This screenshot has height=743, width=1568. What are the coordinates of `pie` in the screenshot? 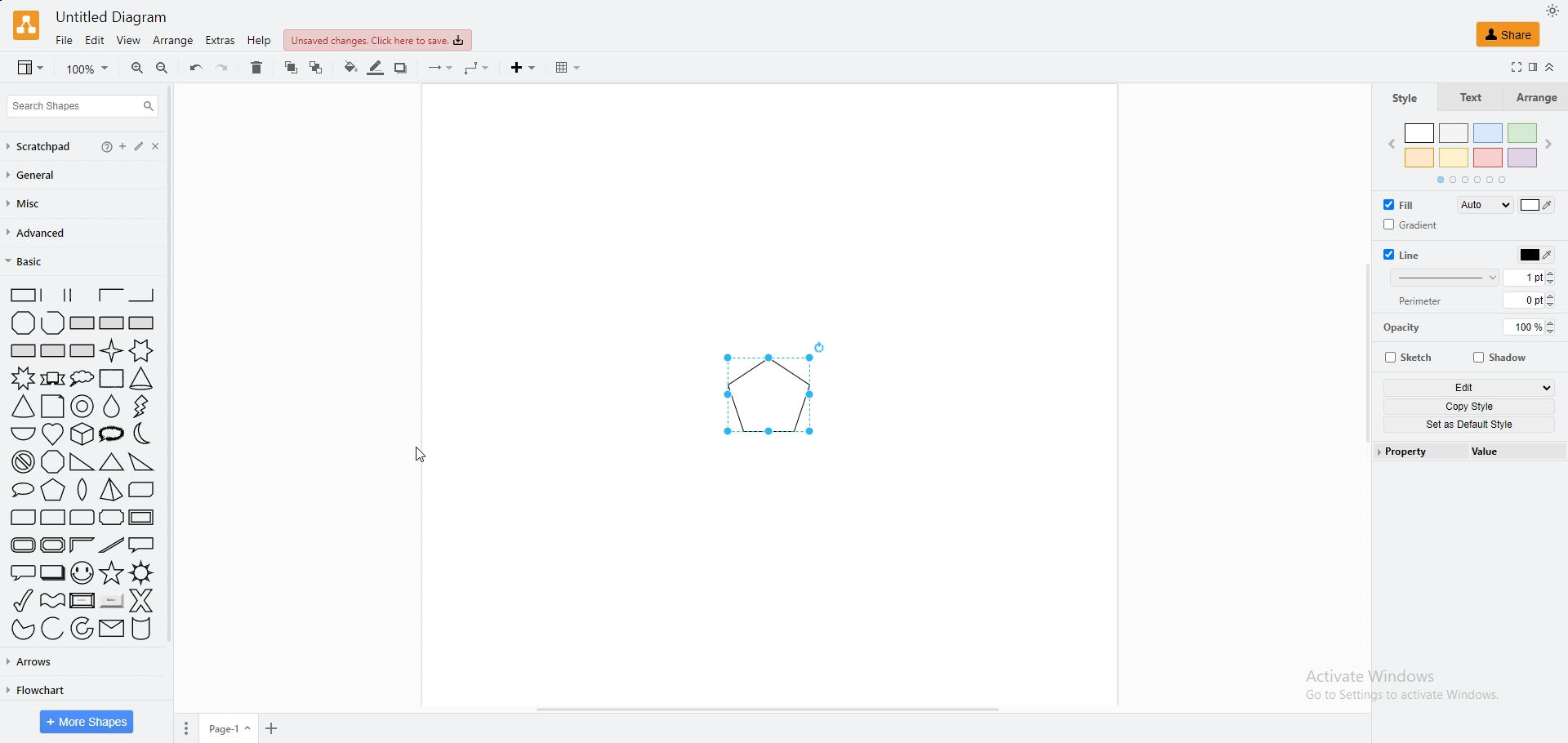 It's located at (19, 630).